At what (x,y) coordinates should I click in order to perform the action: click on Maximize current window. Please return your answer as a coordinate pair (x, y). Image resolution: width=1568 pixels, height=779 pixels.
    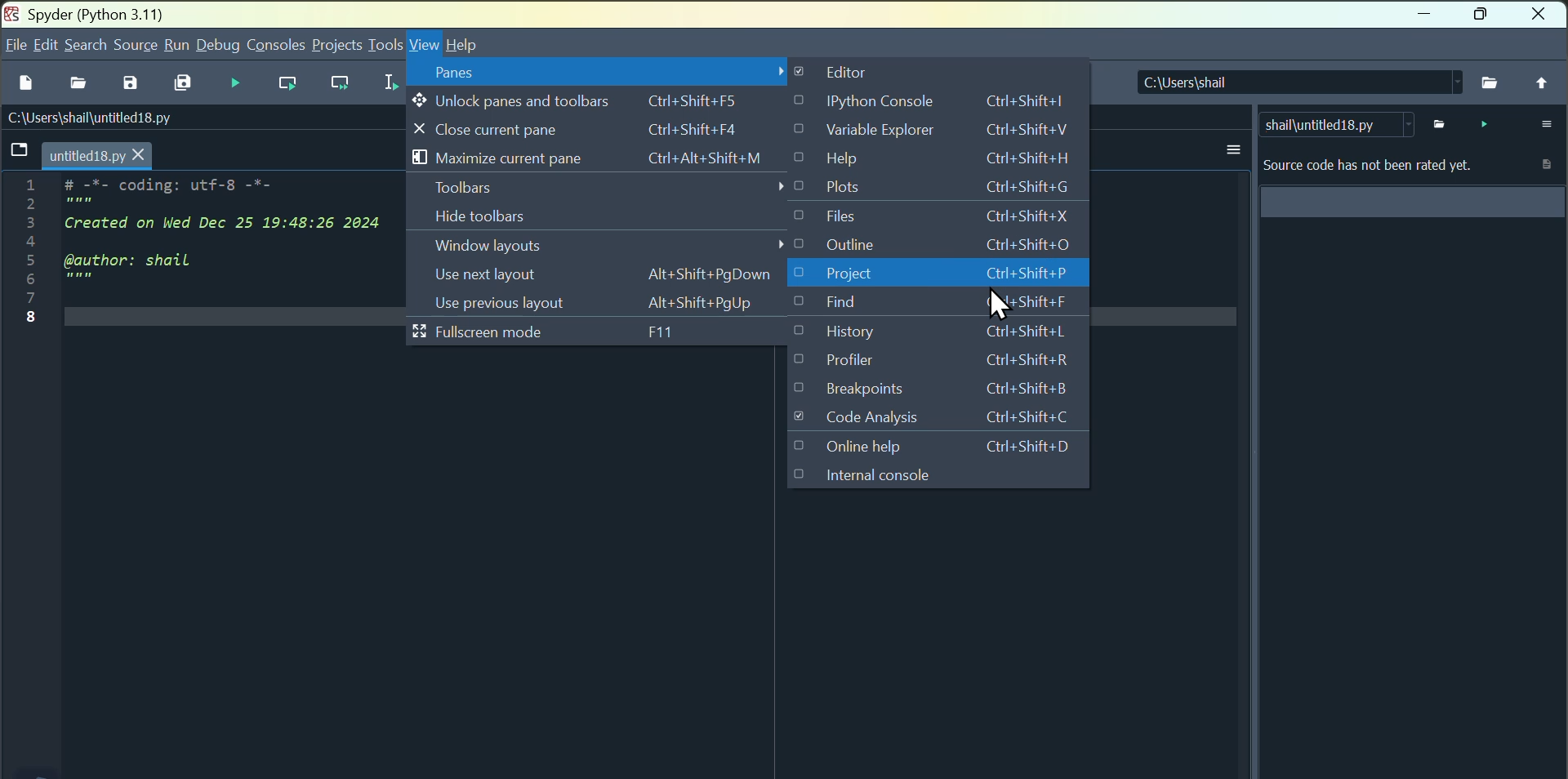
    Looking at the image, I should click on (597, 157).